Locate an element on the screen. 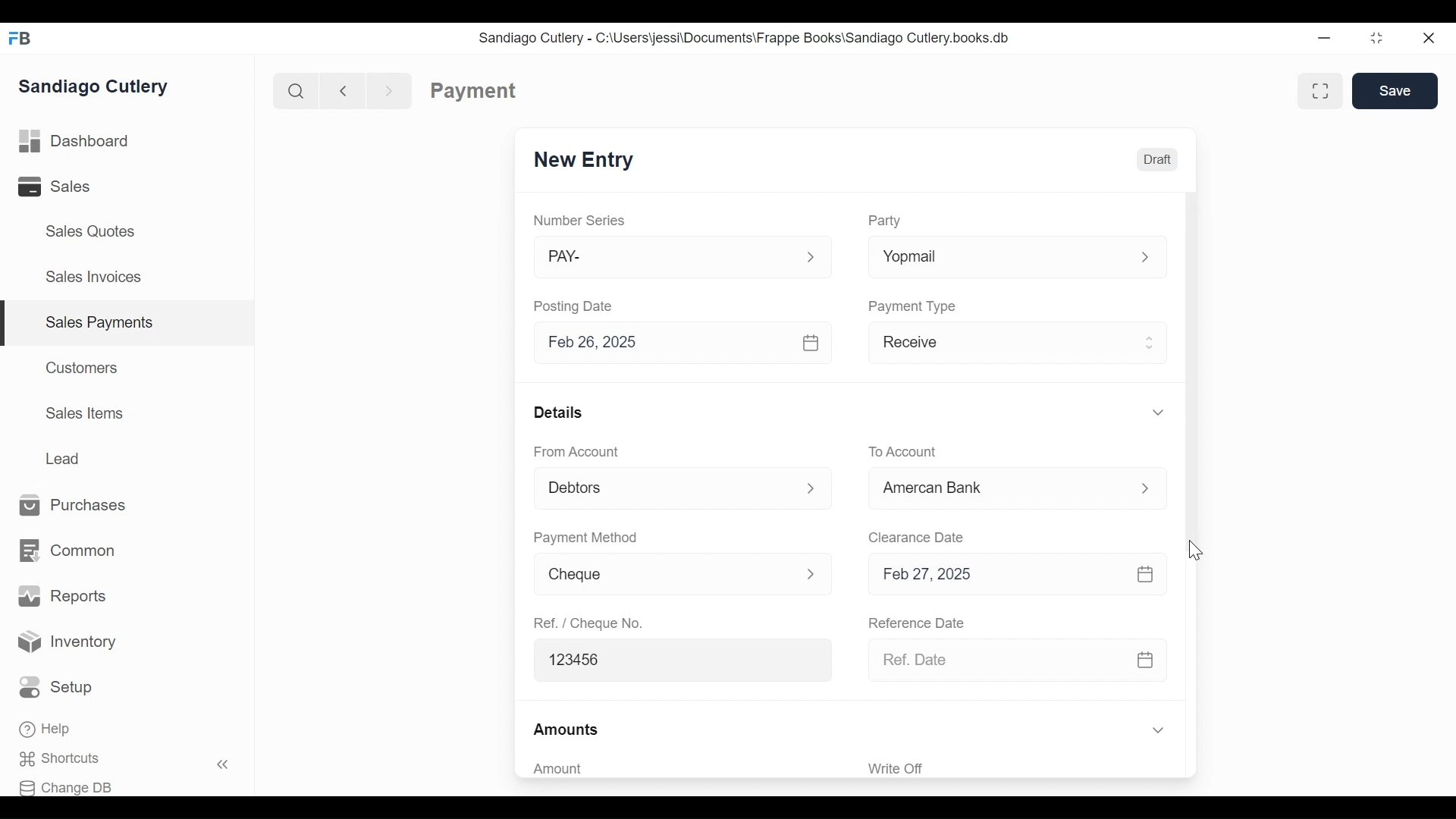 The image size is (1456, 819). Payment Method is located at coordinates (585, 538).